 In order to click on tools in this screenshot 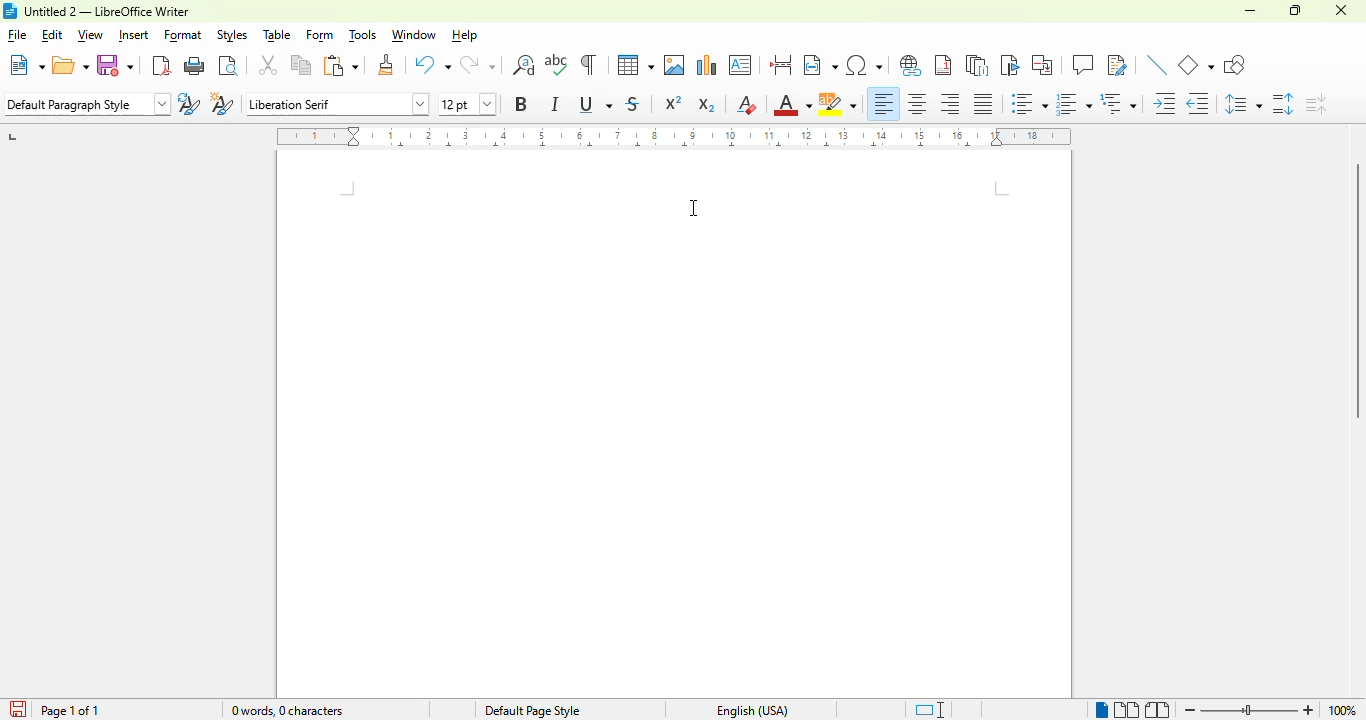, I will do `click(363, 34)`.